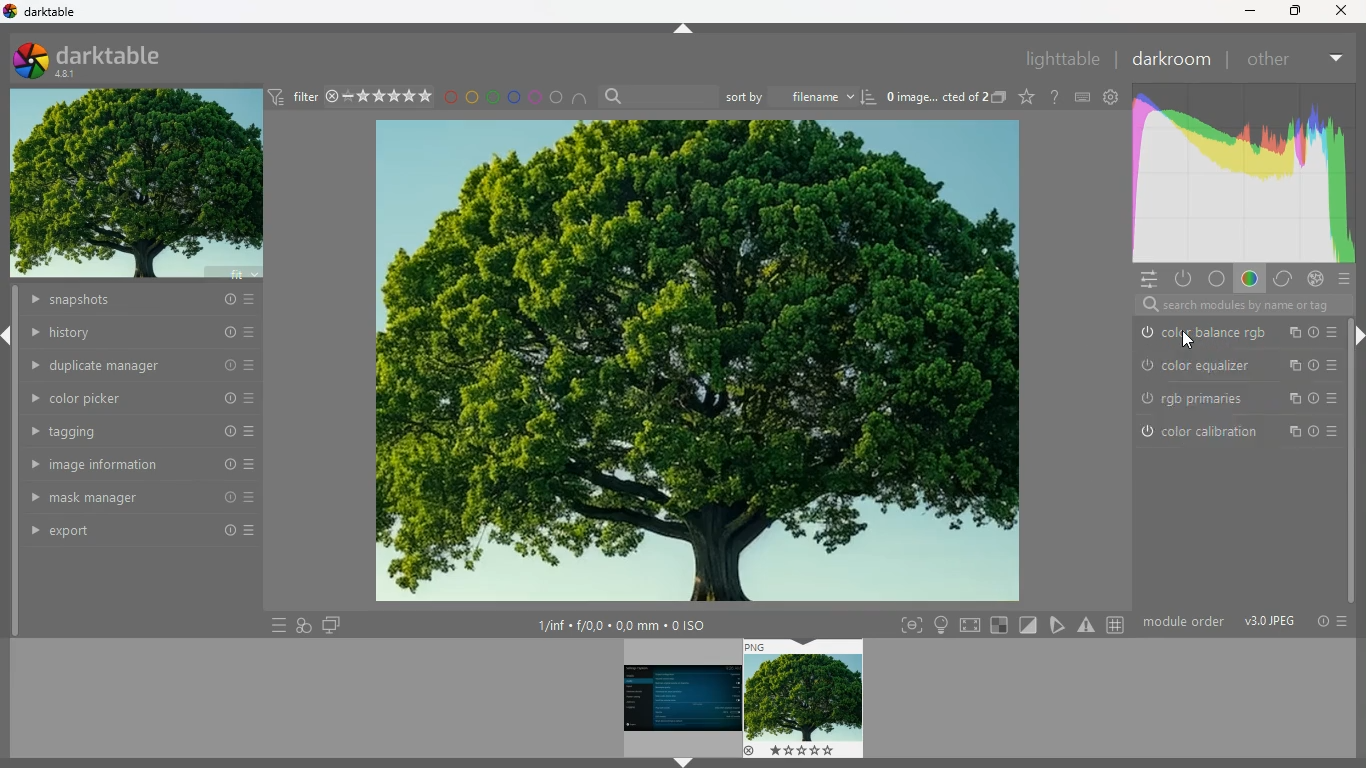 The image size is (1366, 768). Describe the element at coordinates (1237, 402) in the screenshot. I see `rgb primaries` at that location.